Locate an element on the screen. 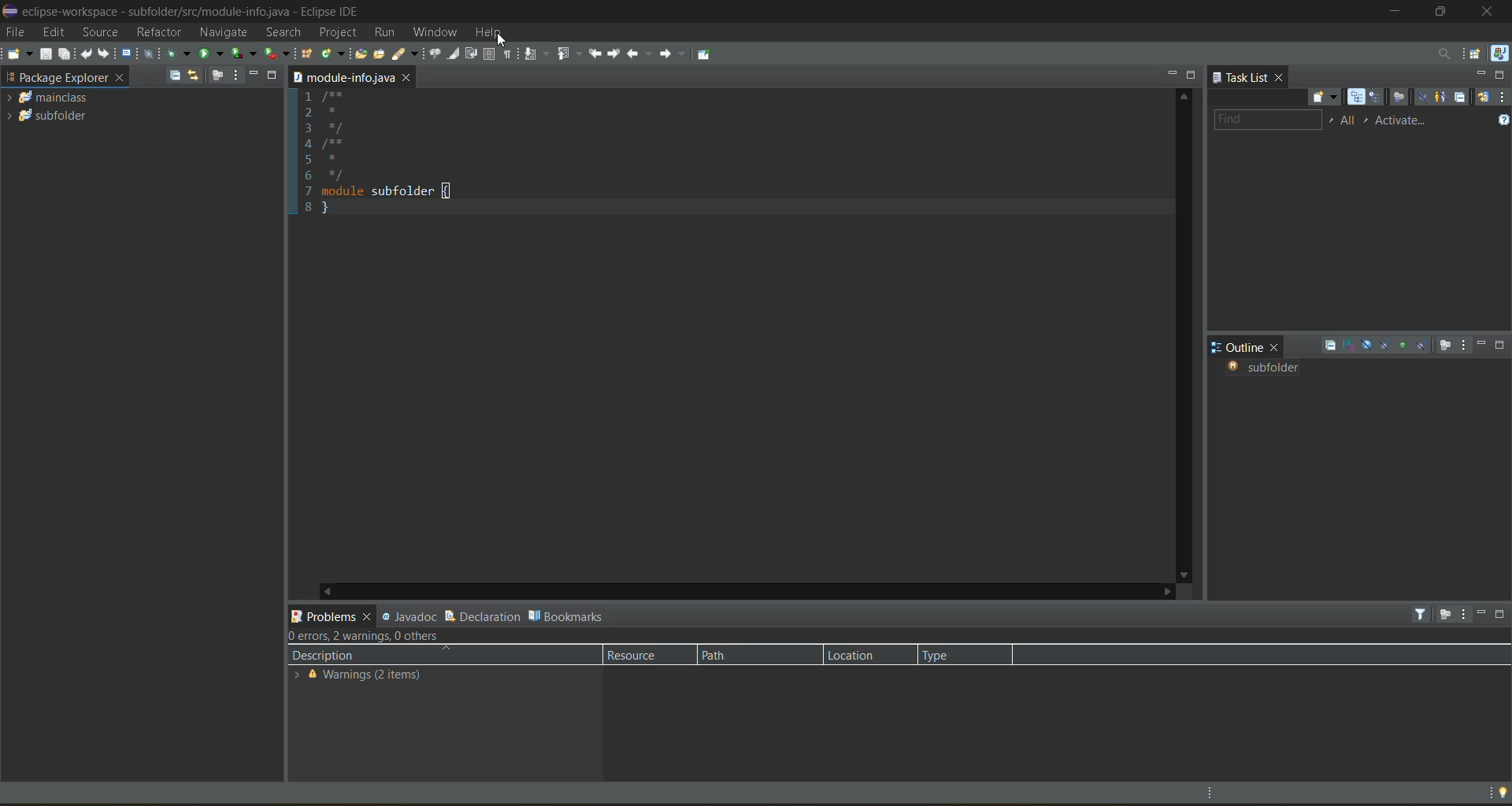  search is located at coordinates (406, 52).